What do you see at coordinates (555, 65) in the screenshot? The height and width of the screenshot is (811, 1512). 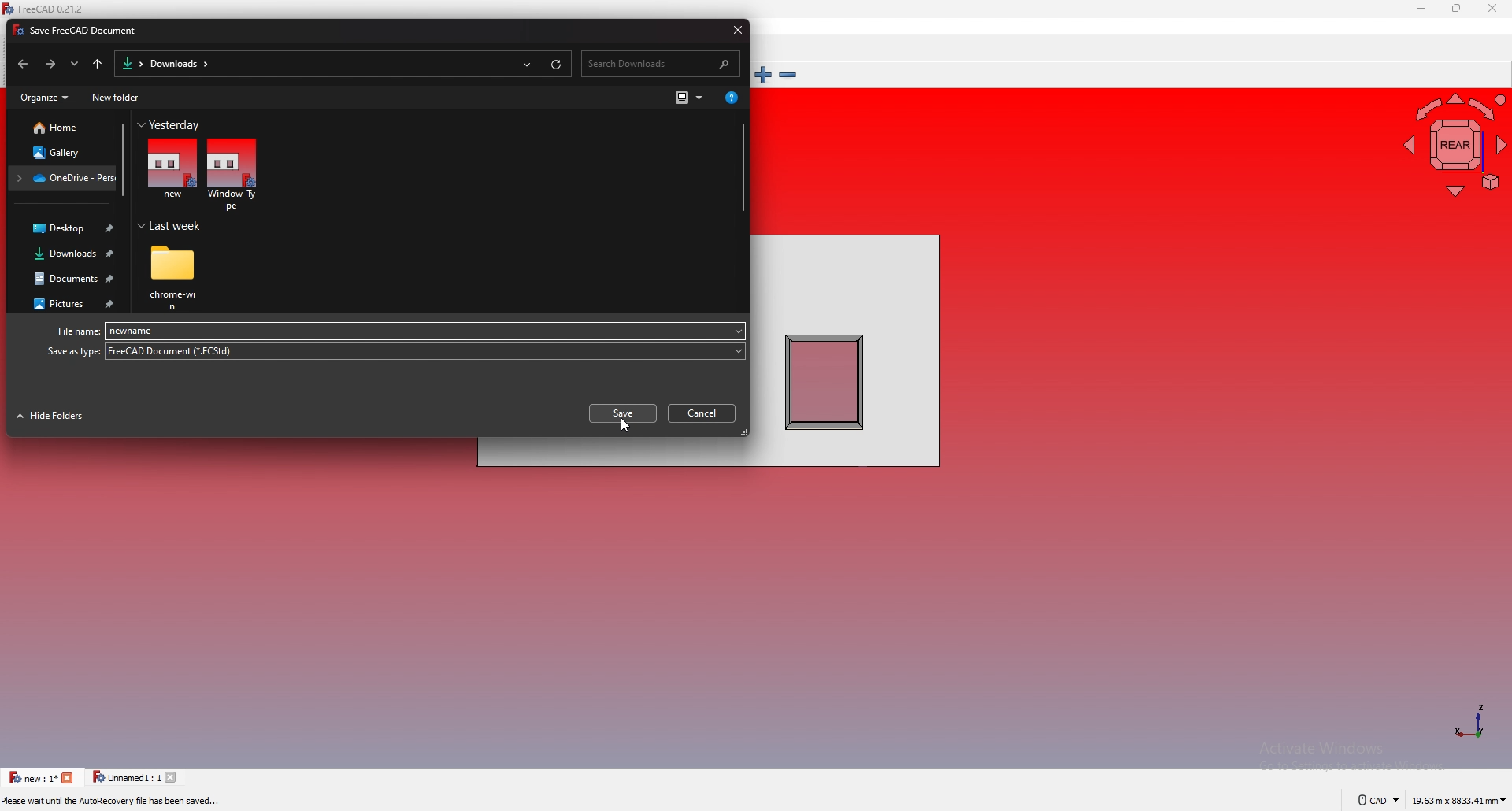 I see `refresh` at bounding box center [555, 65].